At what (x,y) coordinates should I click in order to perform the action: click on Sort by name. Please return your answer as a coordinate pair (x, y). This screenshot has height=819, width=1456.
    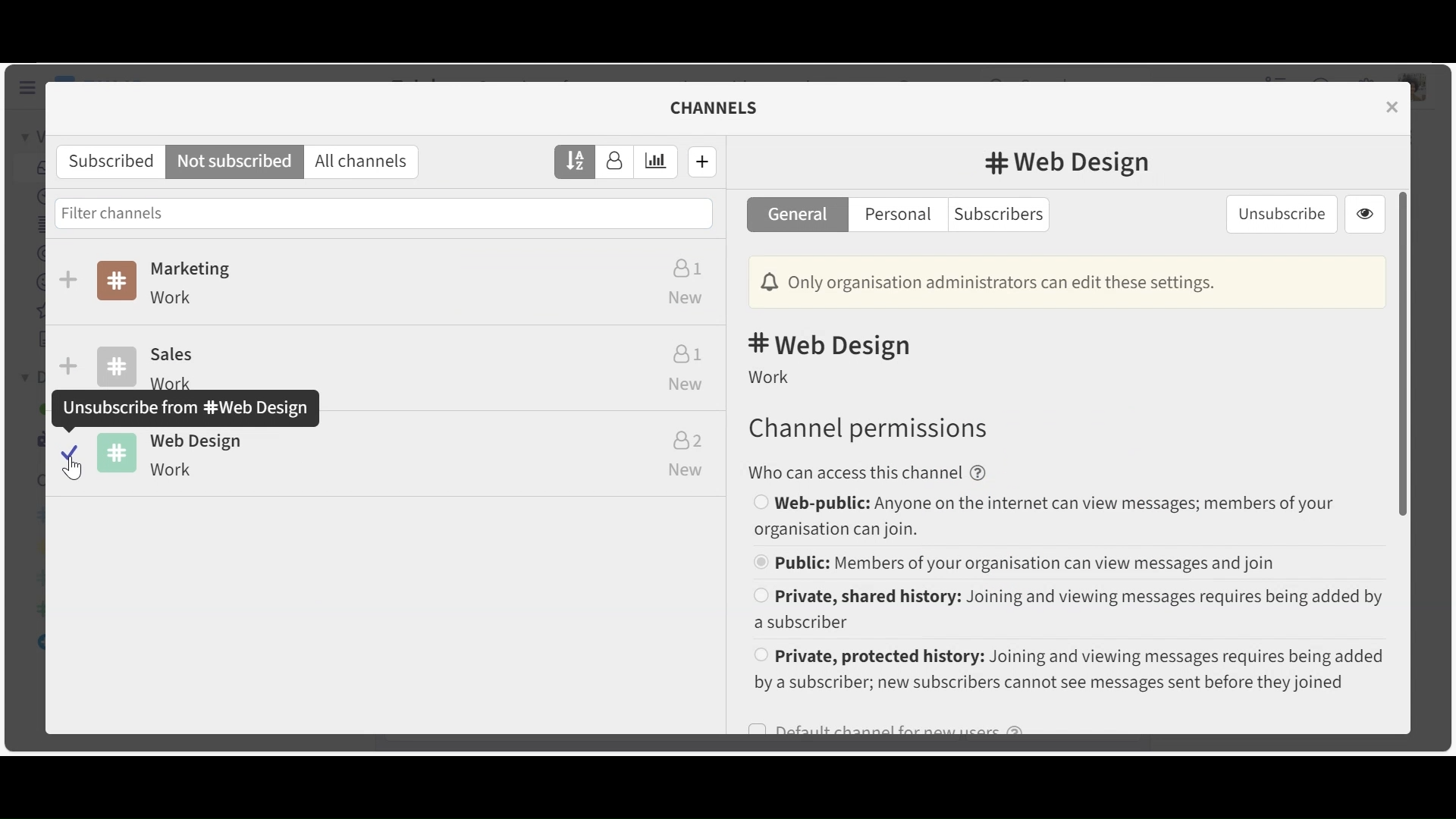
    Looking at the image, I should click on (574, 161).